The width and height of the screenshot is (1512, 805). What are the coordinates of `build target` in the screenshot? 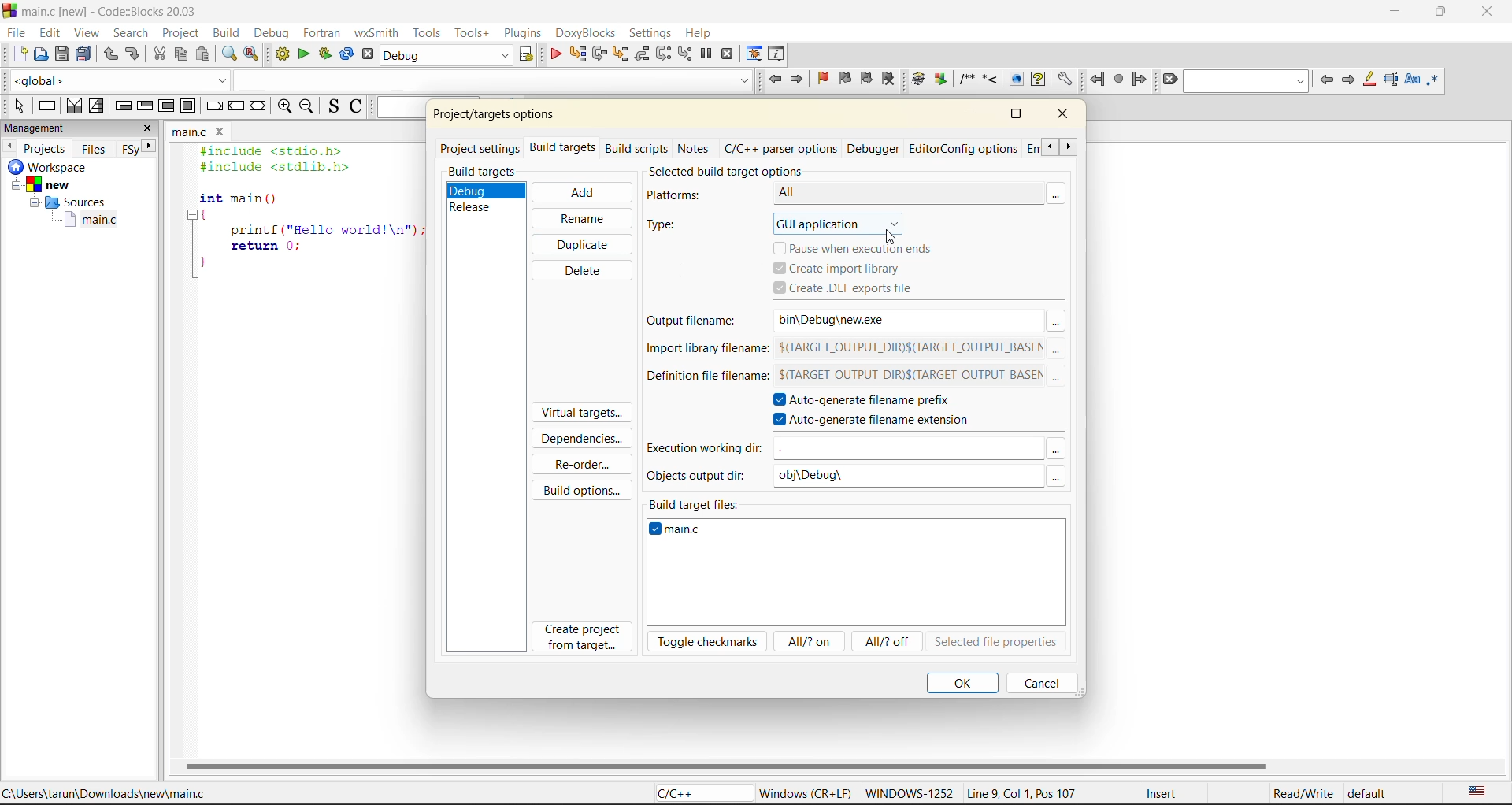 It's located at (444, 55).